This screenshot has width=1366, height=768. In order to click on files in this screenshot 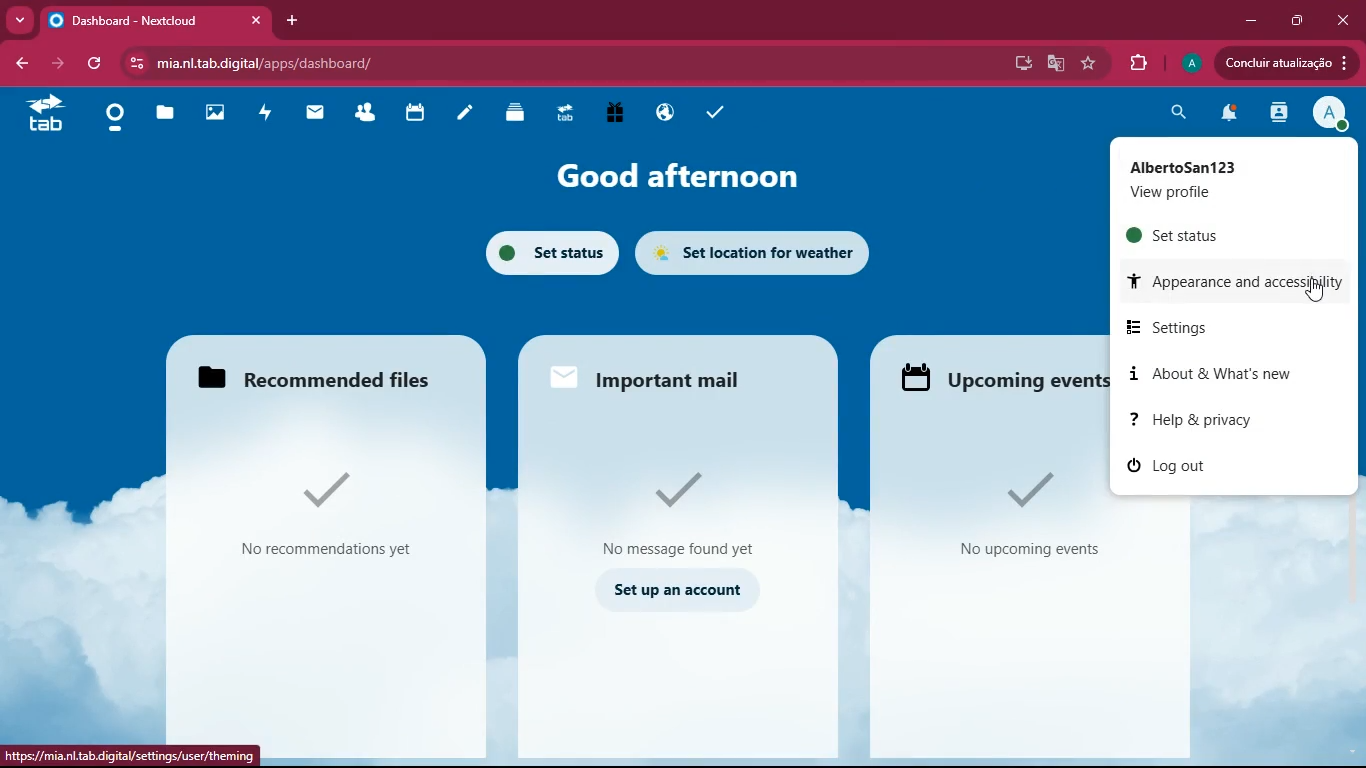, I will do `click(313, 377)`.